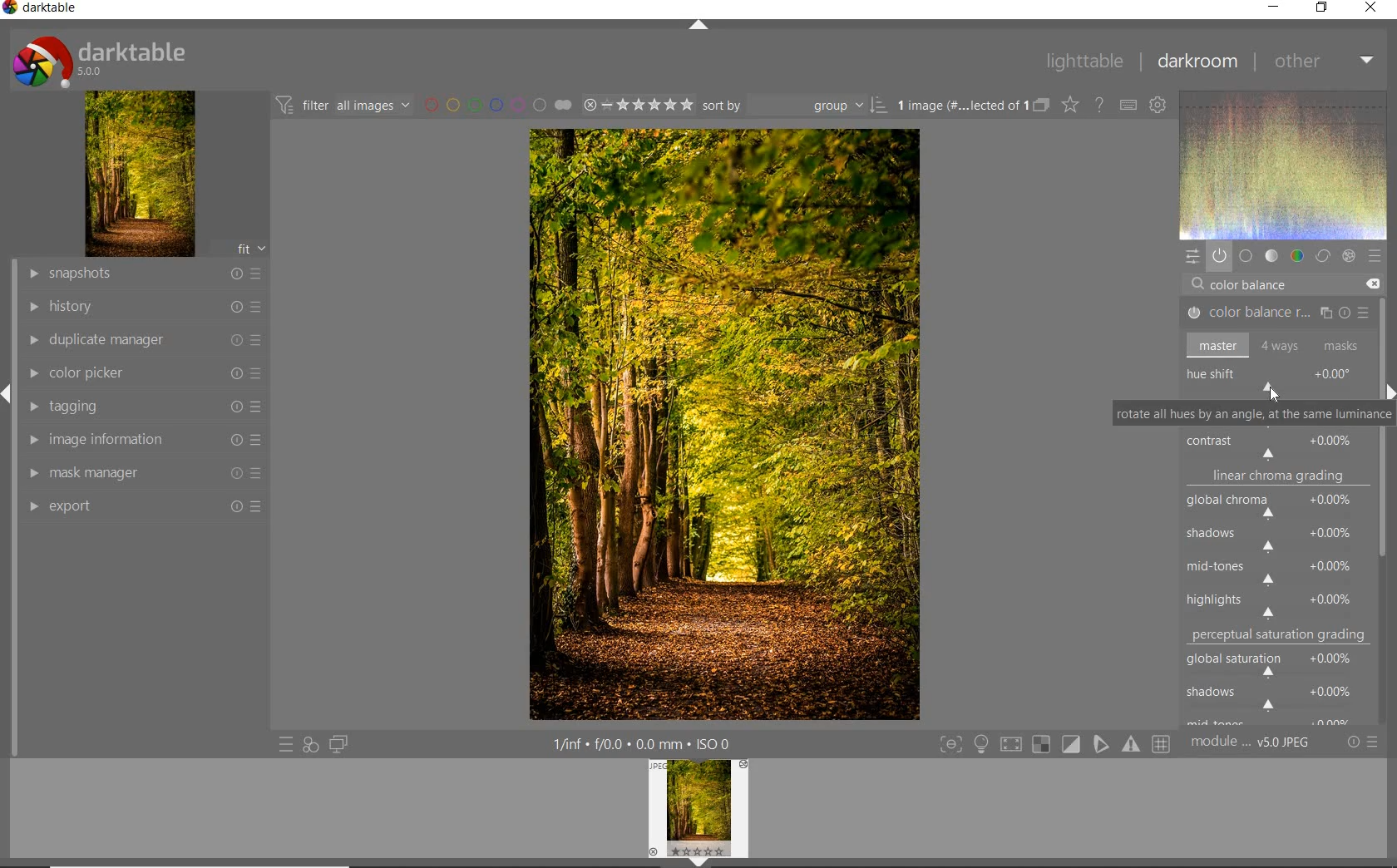 Image resolution: width=1397 pixels, height=868 pixels. Describe the element at coordinates (698, 814) in the screenshot. I see `image preview` at that location.